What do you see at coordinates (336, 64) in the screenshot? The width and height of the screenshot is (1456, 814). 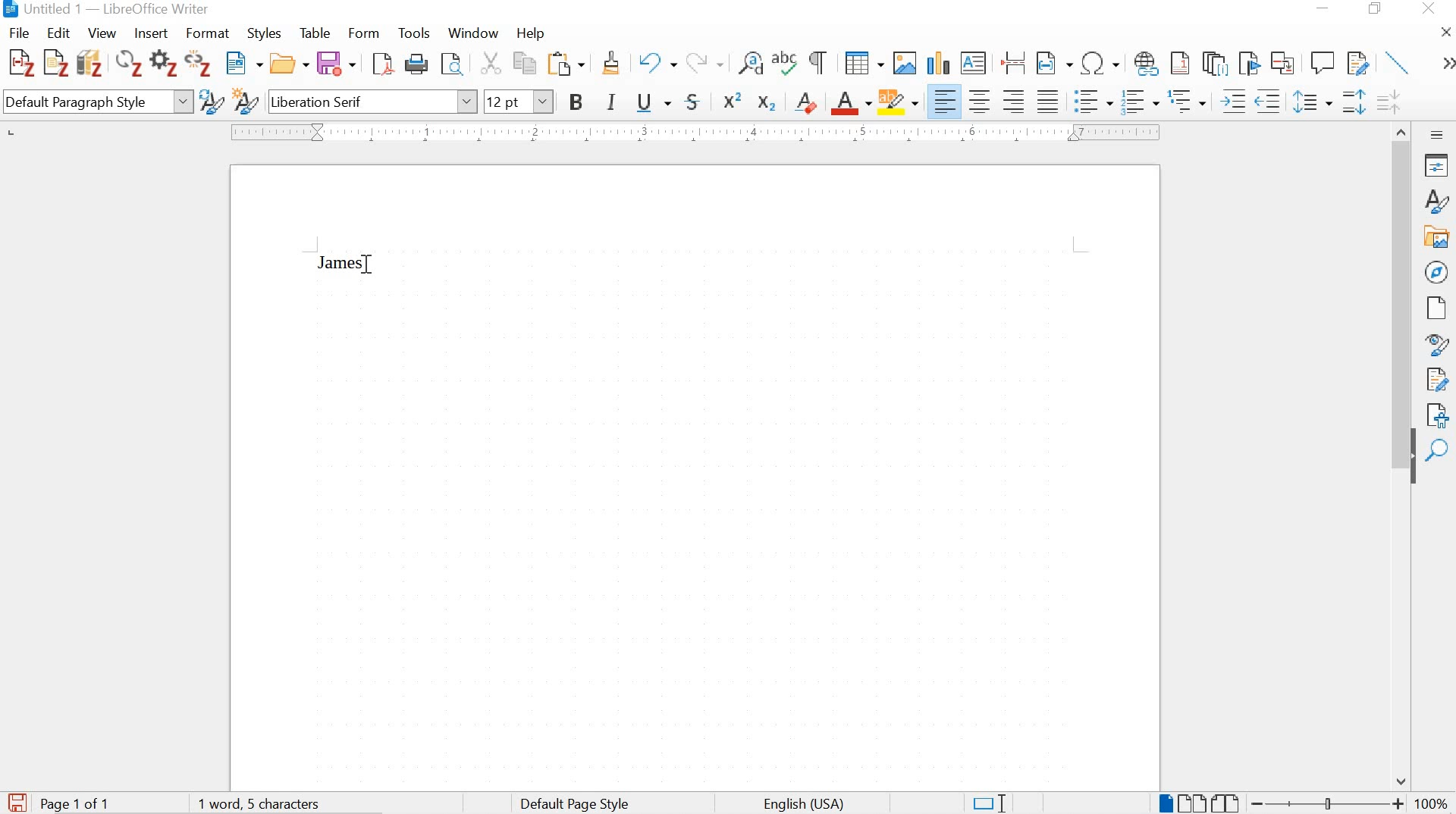 I see `save` at bounding box center [336, 64].